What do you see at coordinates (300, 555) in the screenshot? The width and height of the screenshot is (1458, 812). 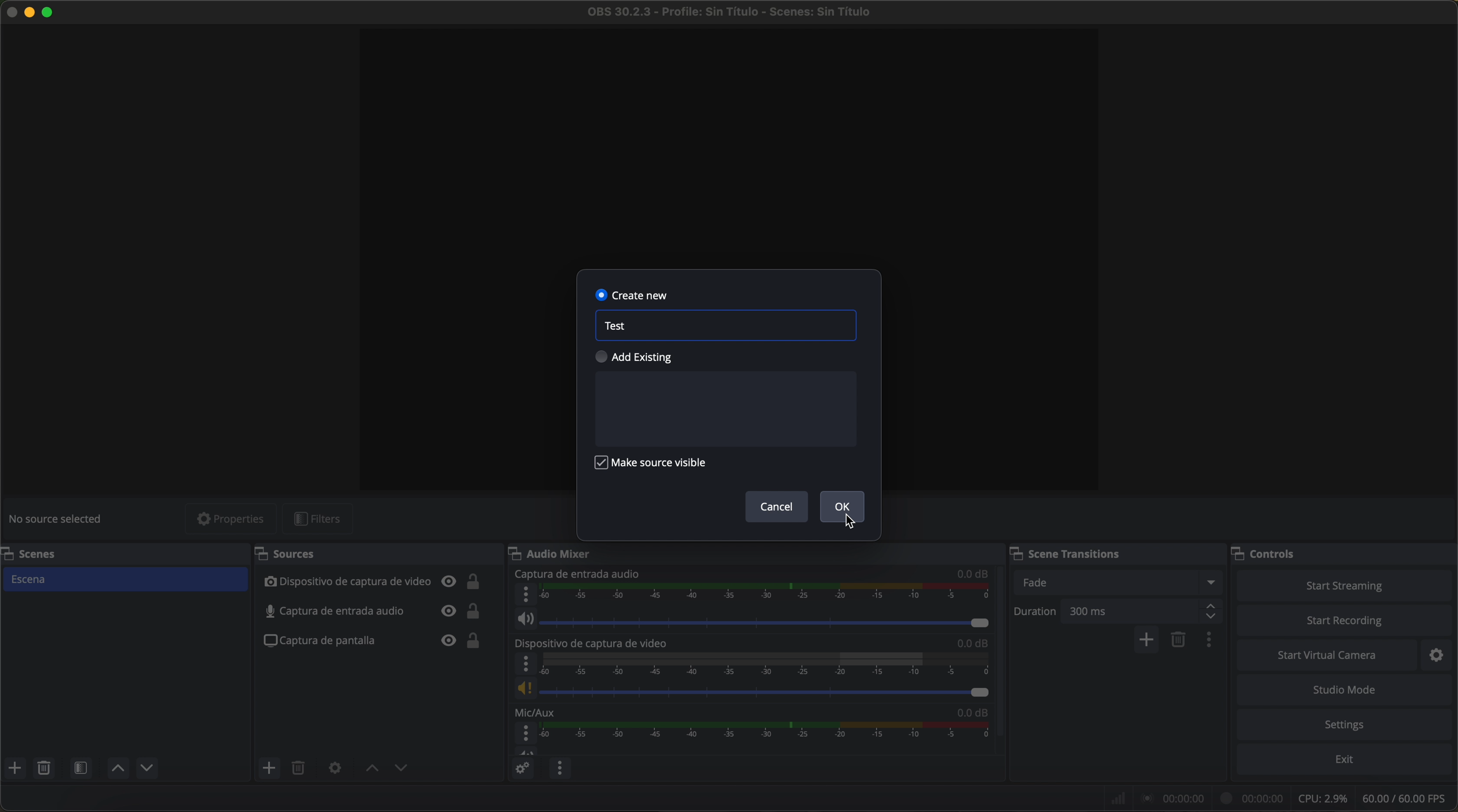 I see `sources` at bounding box center [300, 555].